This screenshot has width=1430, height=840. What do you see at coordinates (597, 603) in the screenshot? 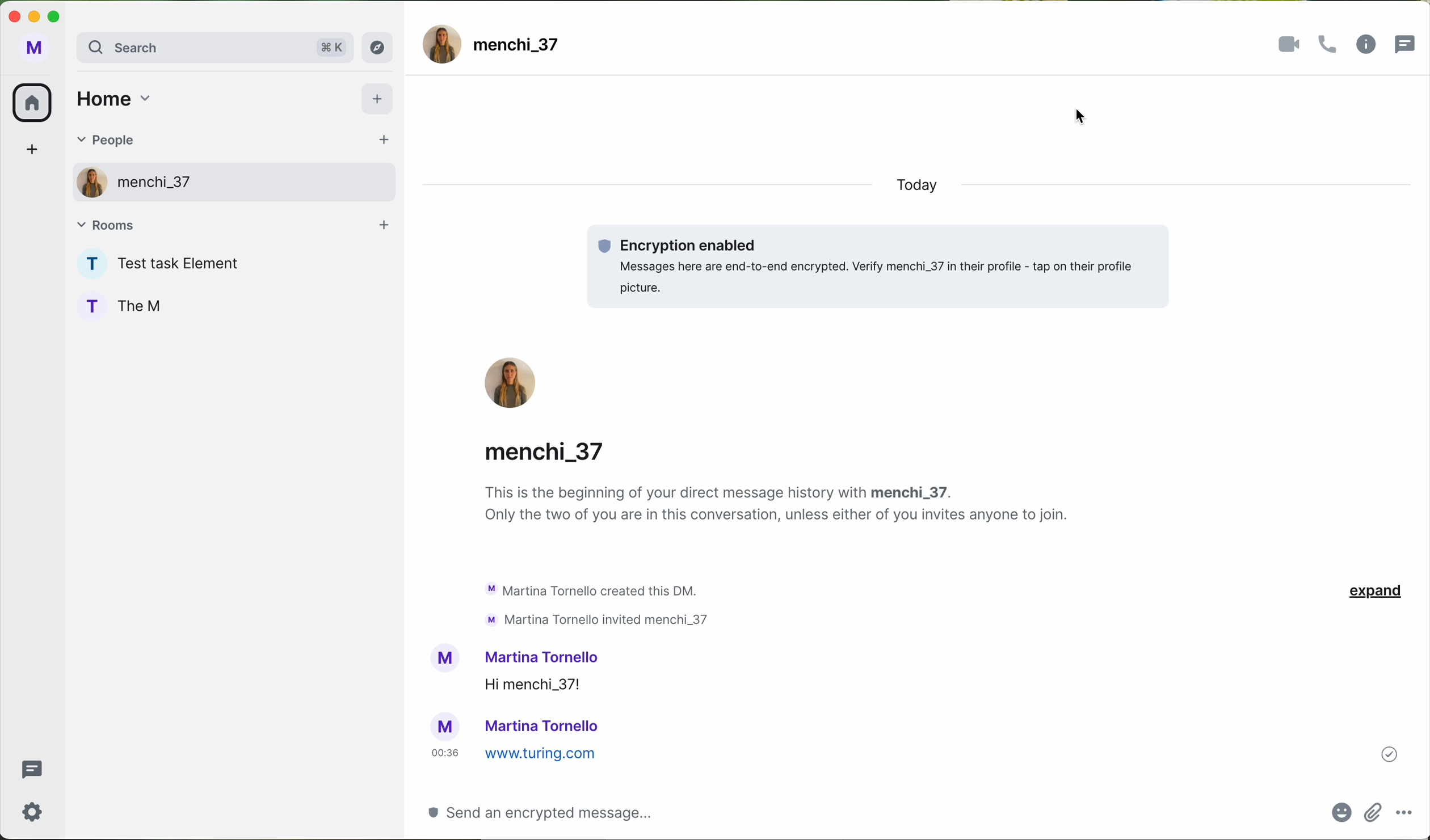
I see `activity chat` at bounding box center [597, 603].